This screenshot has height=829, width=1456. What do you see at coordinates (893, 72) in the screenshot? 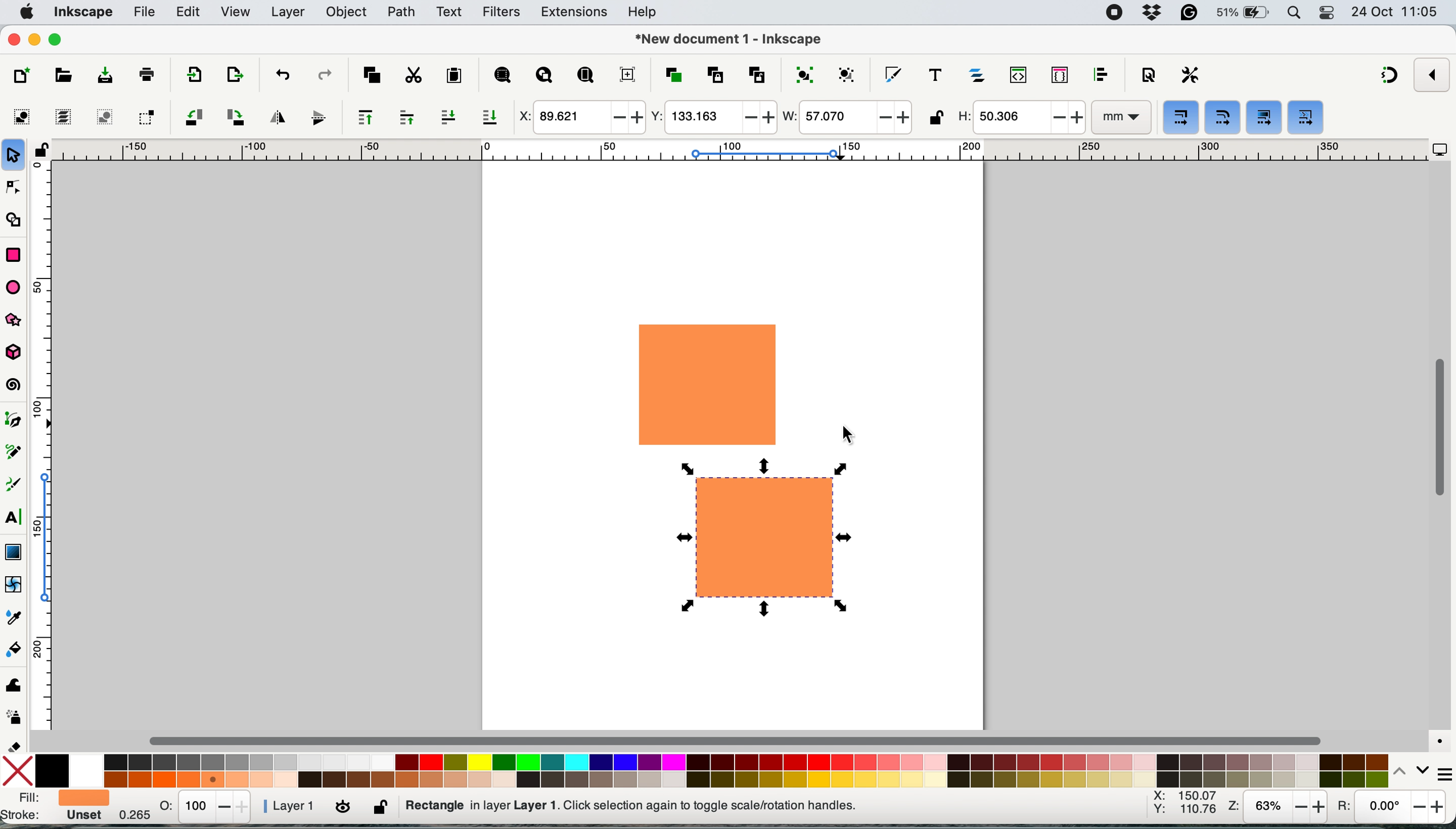
I see `fill and stroke` at bounding box center [893, 72].